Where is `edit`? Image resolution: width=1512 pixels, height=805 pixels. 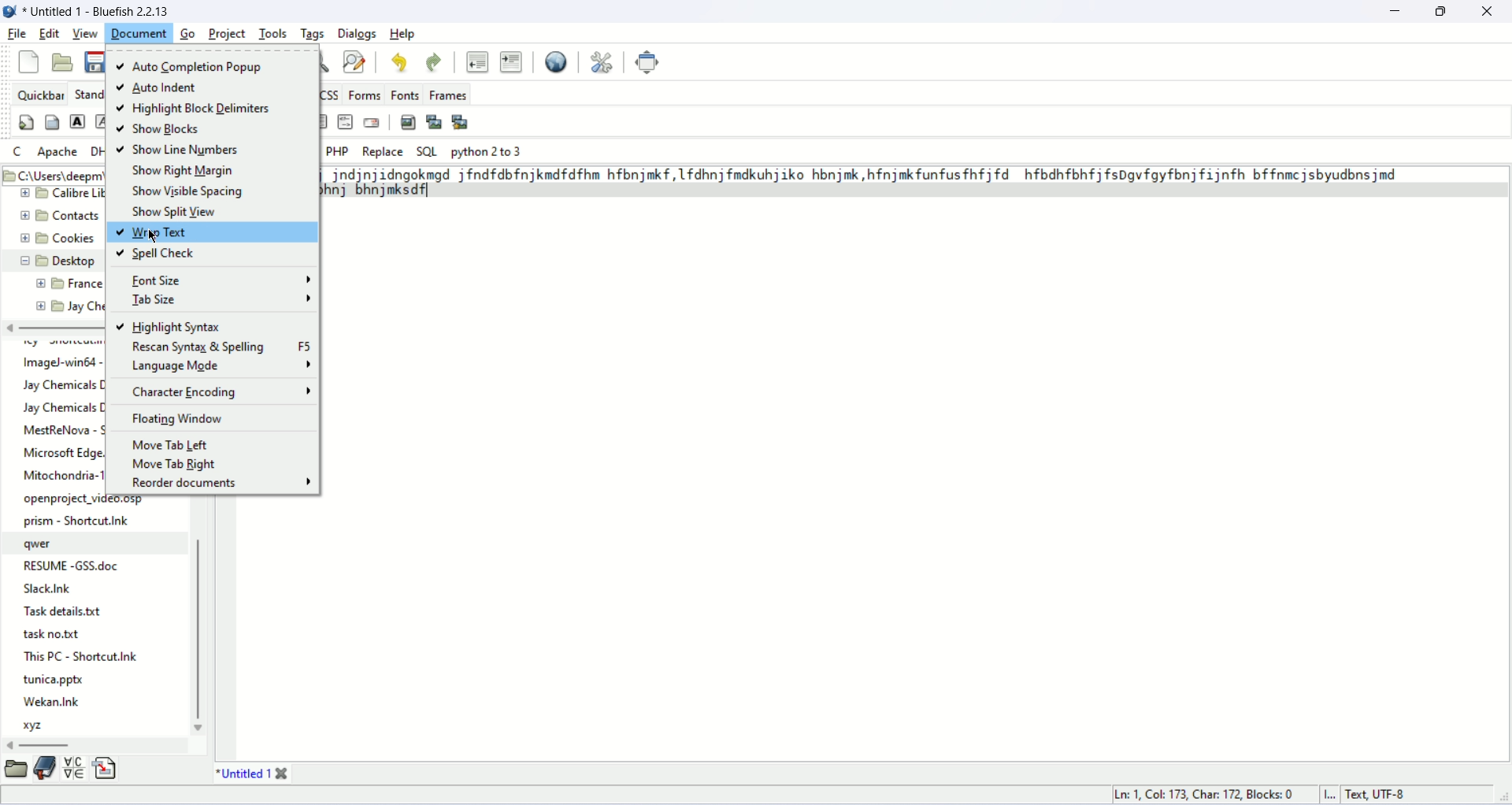 edit is located at coordinates (50, 32).